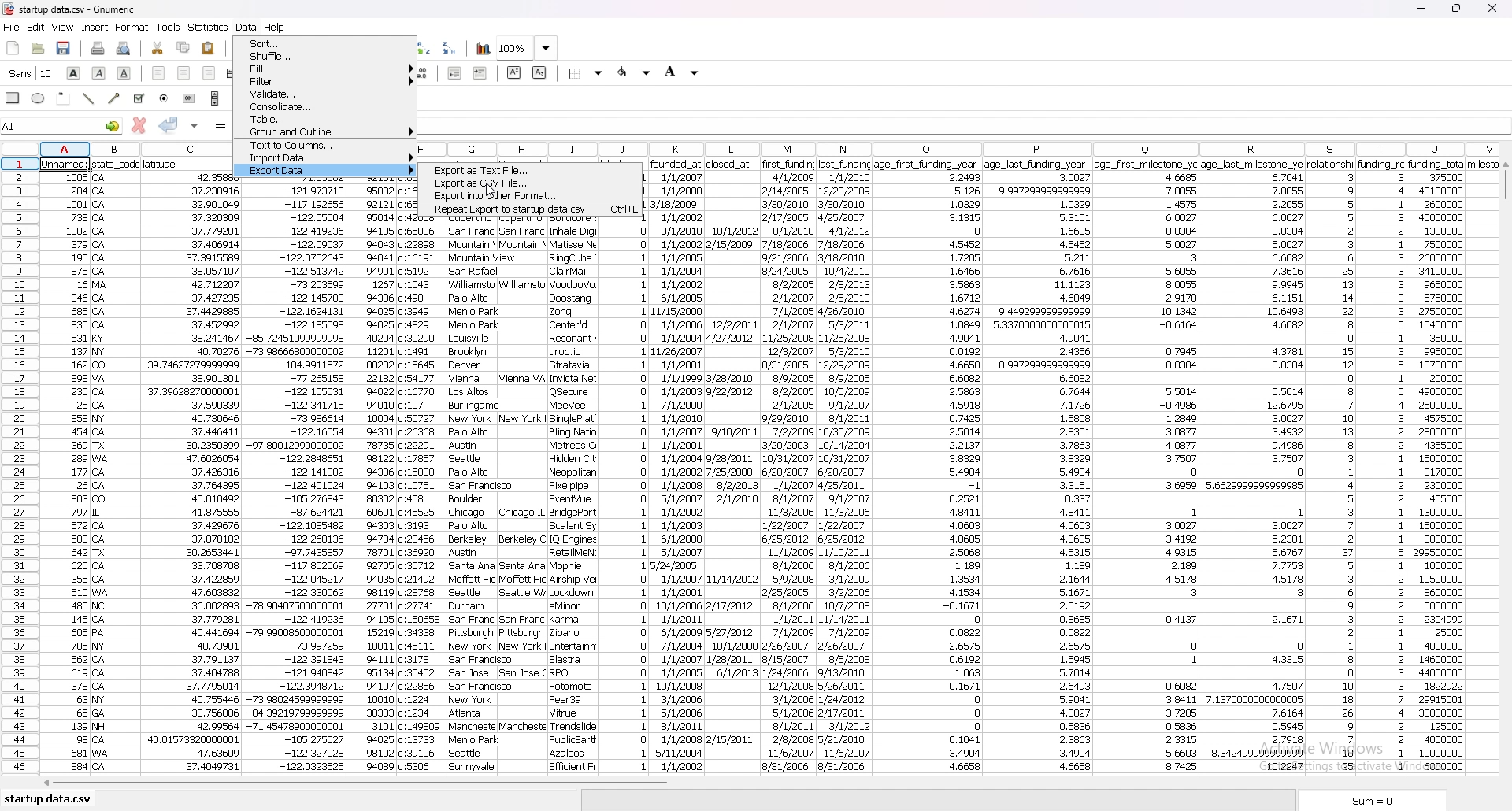 This screenshot has height=811, width=1512. I want to click on export into other format, so click(530, 196).